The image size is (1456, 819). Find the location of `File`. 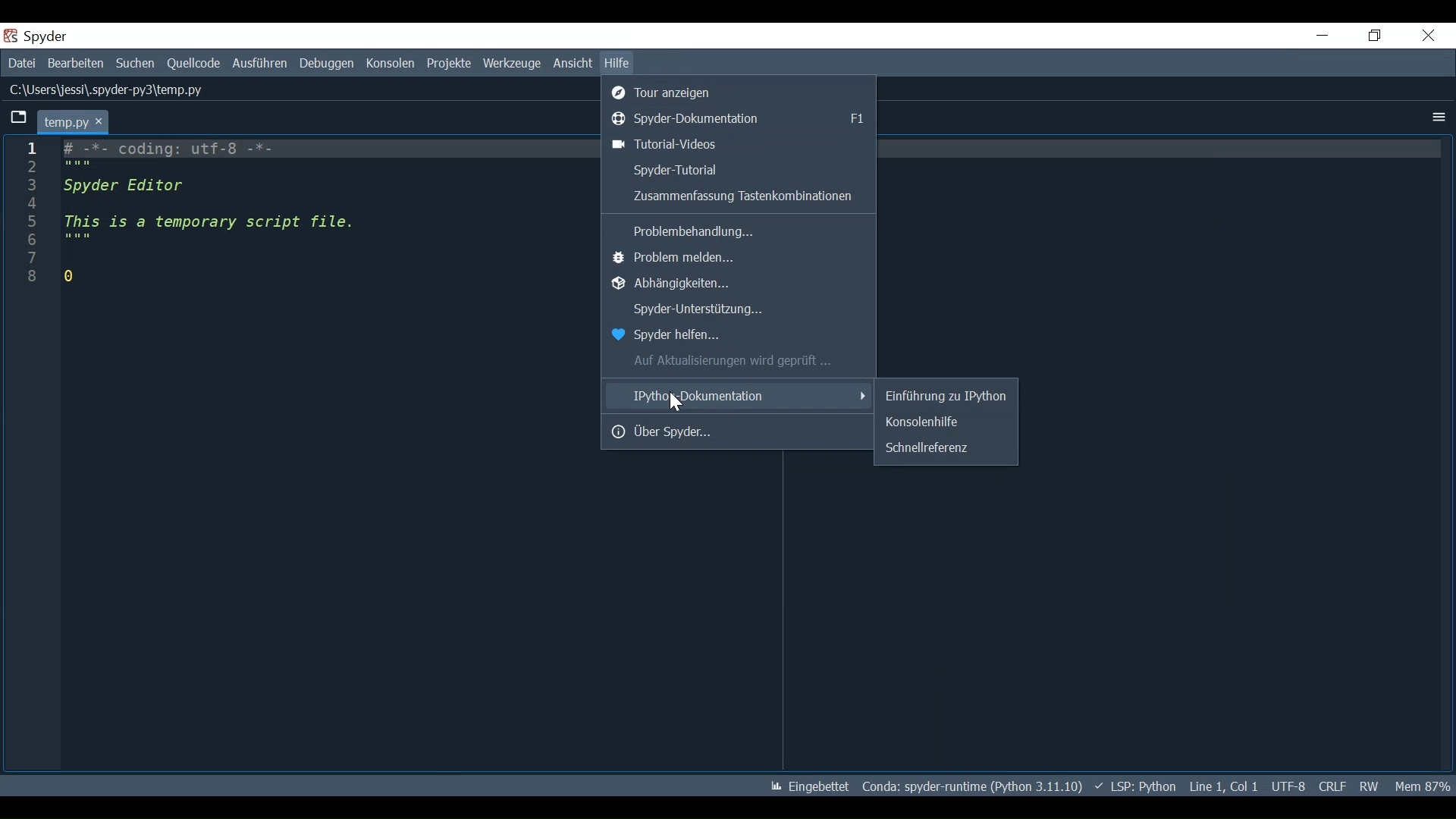

File is located at coordinates (21, 63).